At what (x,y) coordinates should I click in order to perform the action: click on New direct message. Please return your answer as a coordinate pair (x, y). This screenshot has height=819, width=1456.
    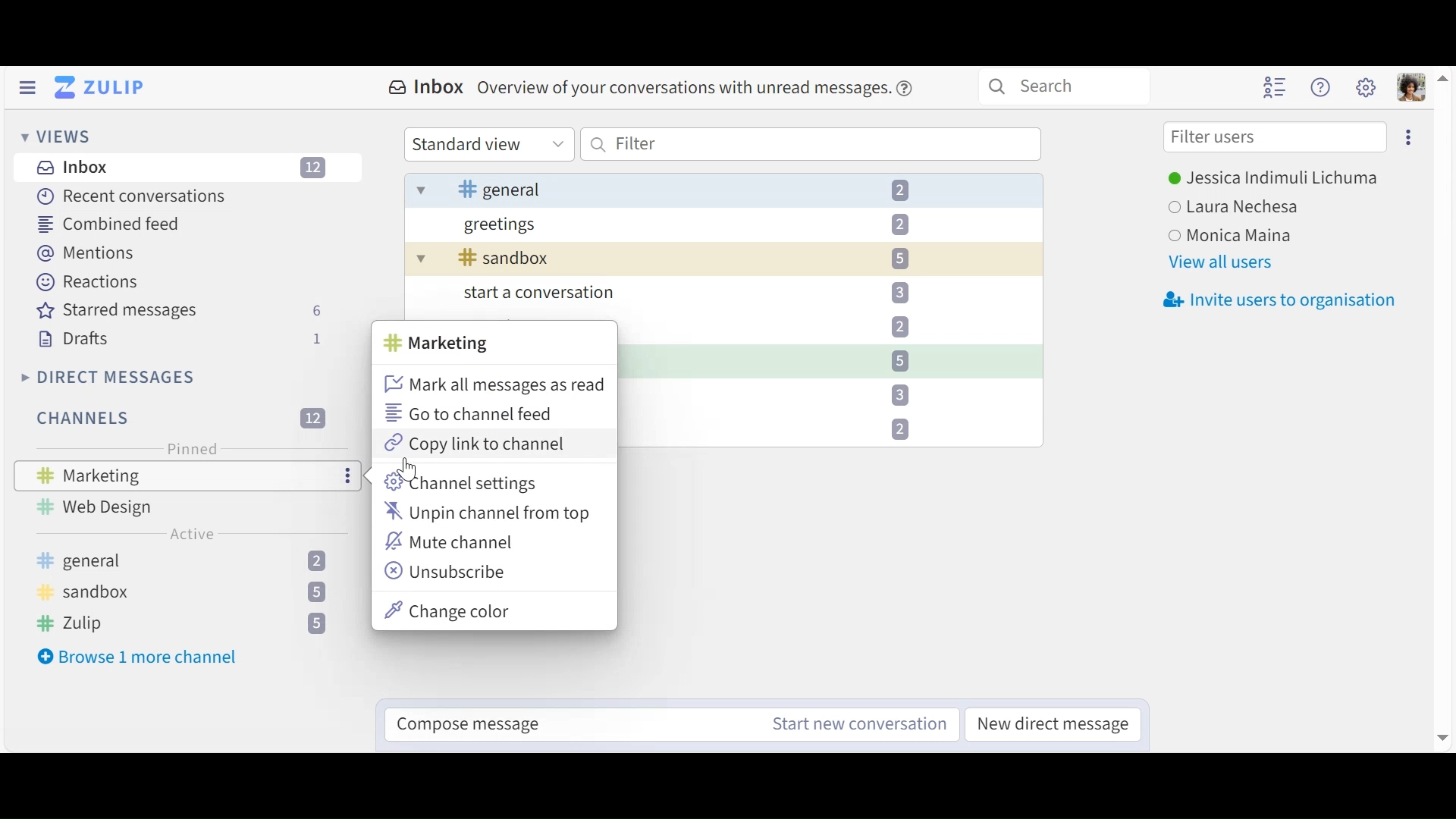
    Looking at the image, I should click on (1056, 723).